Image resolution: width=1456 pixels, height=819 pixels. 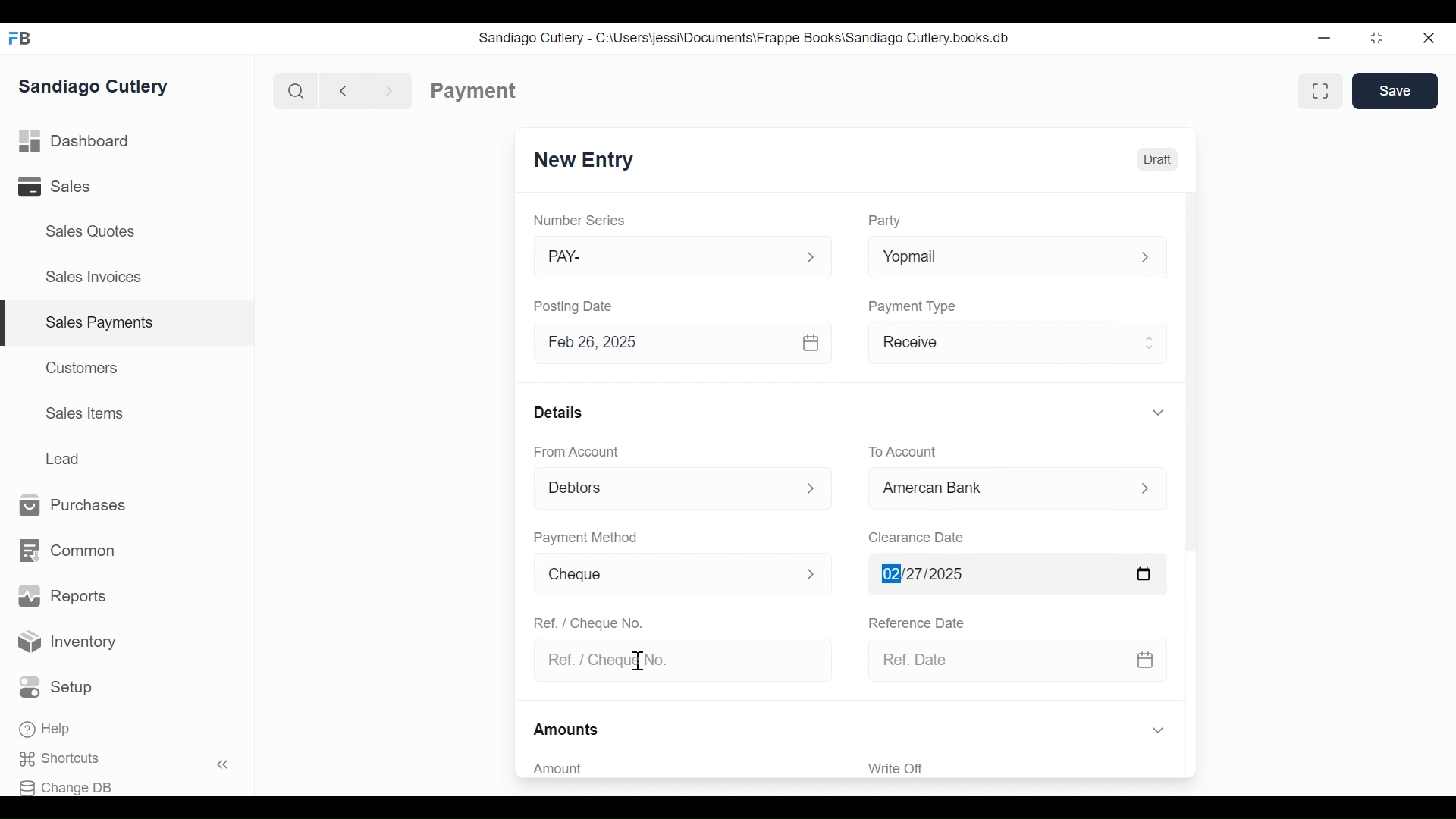 I want to click on Expand, so click(x=1145, y=489).